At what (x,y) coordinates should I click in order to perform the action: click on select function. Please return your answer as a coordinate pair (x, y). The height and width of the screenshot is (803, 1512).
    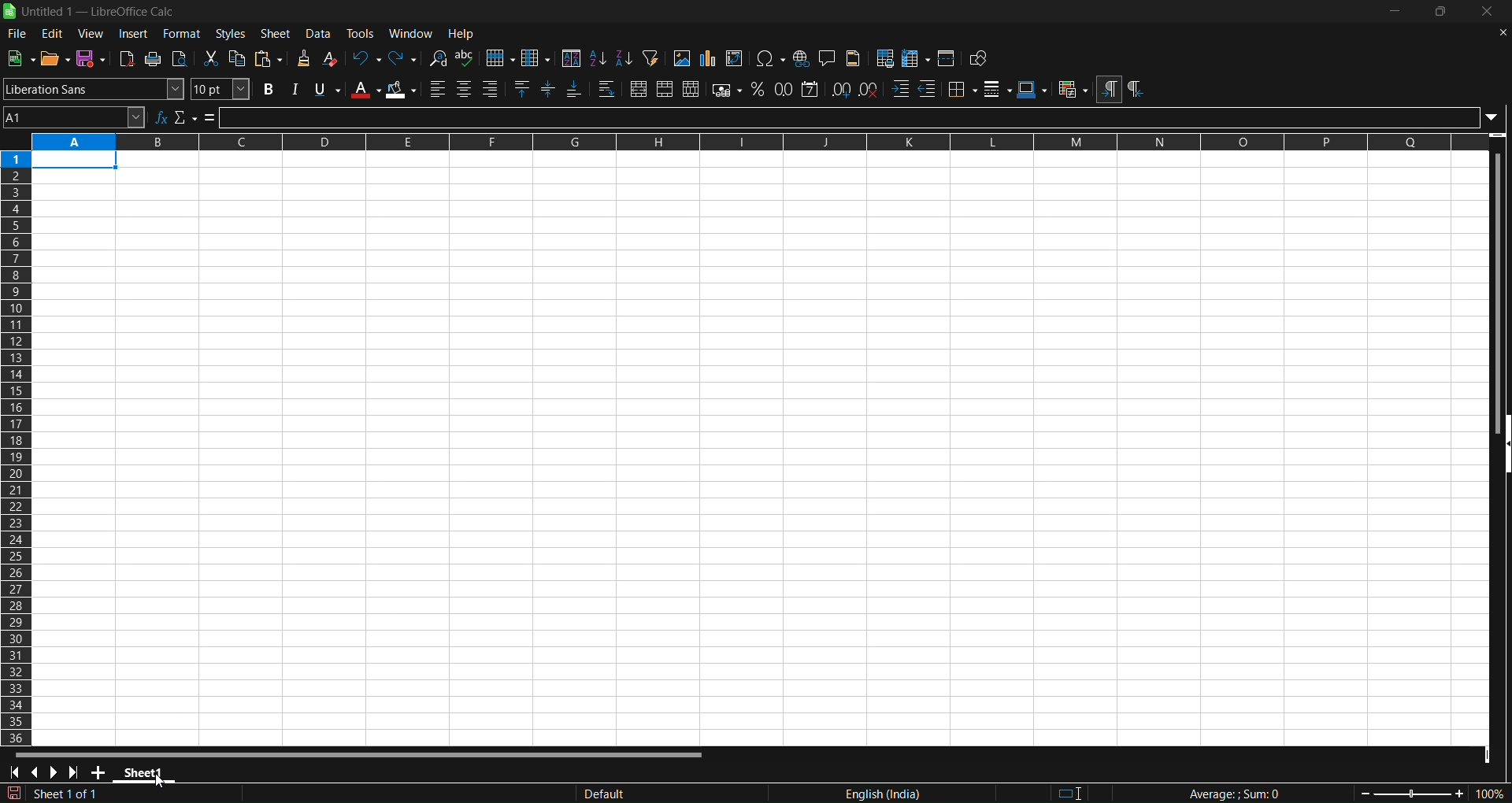
    Looking at the image, I should click on (185, 117).